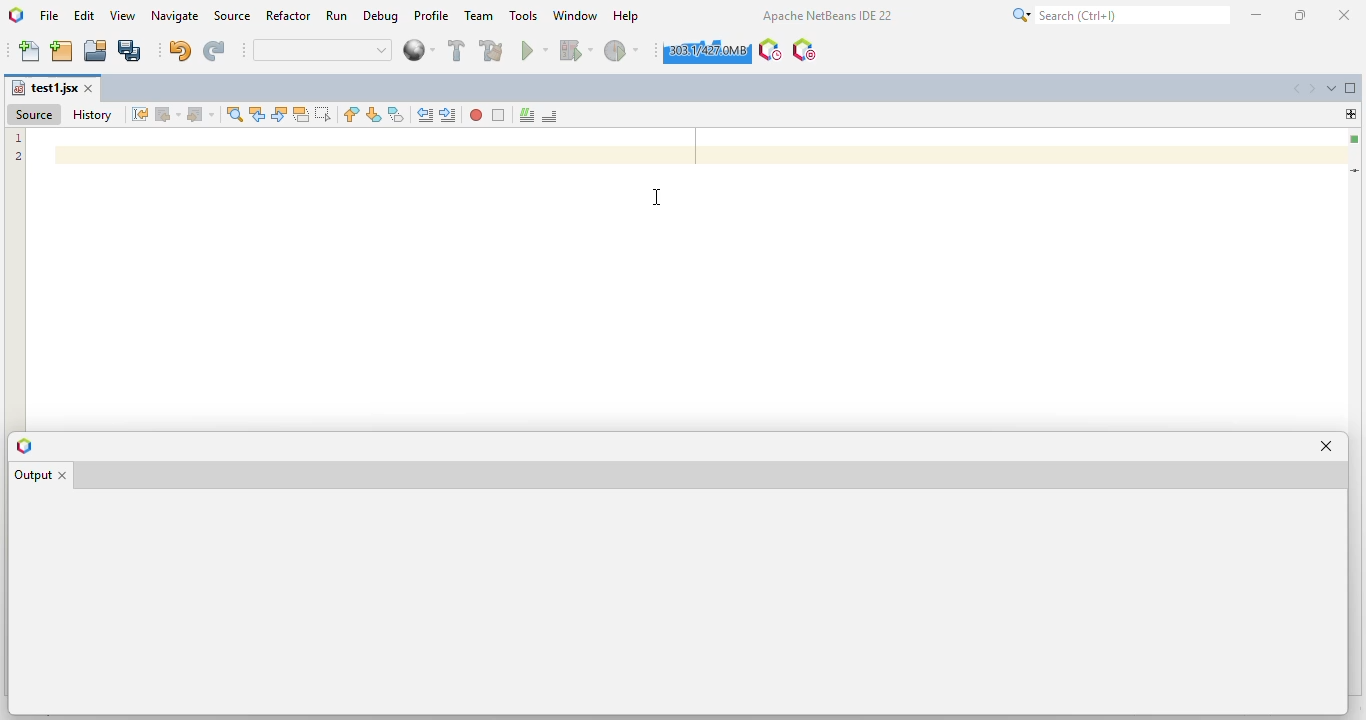 Image resolution: width=1366 pixels, height=720 pixels. Describe the element at coordinates (771, 50) in the screenshot. I see `profile the IDE` at that location.